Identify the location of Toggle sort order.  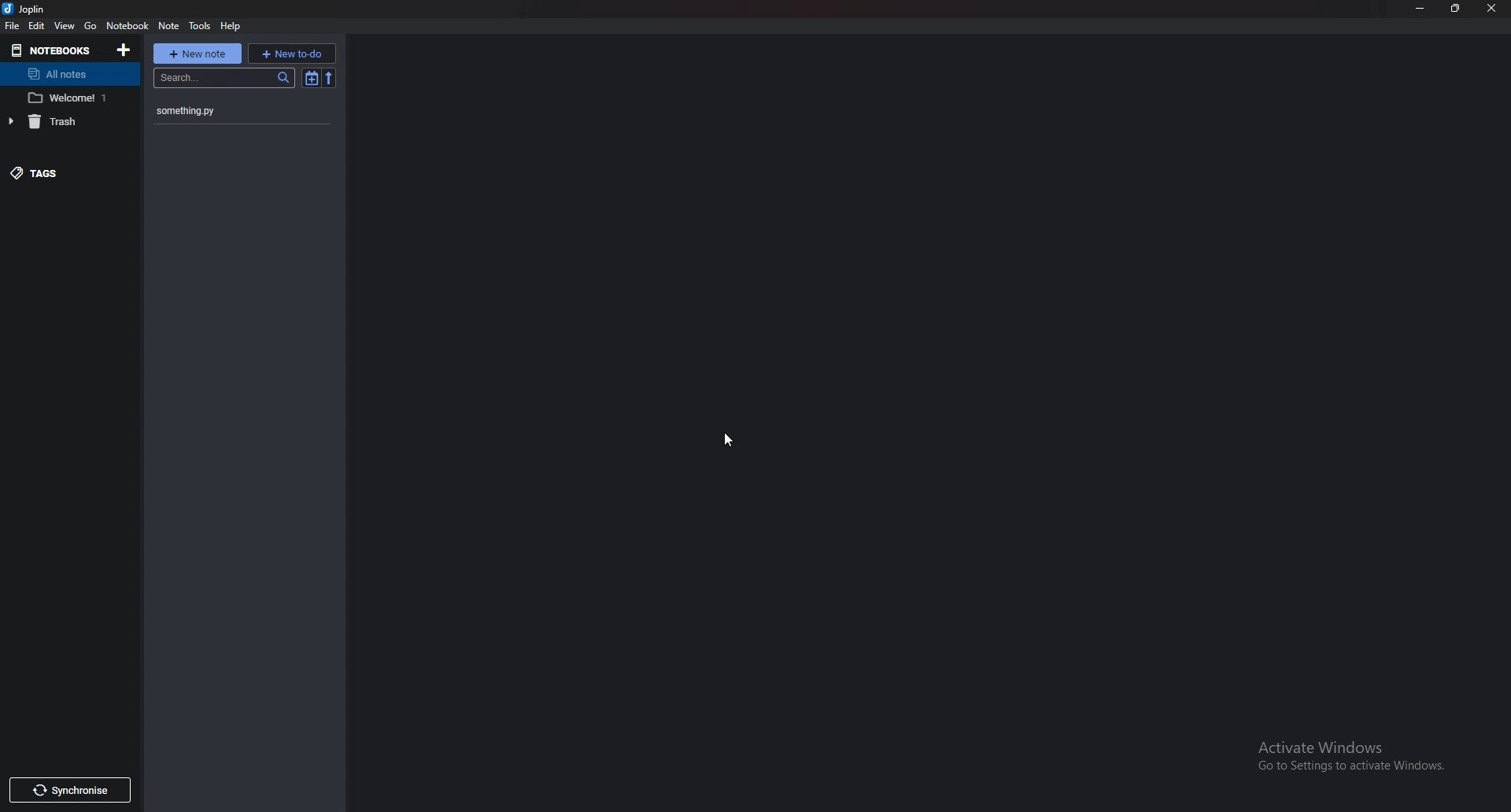
(311, 79).